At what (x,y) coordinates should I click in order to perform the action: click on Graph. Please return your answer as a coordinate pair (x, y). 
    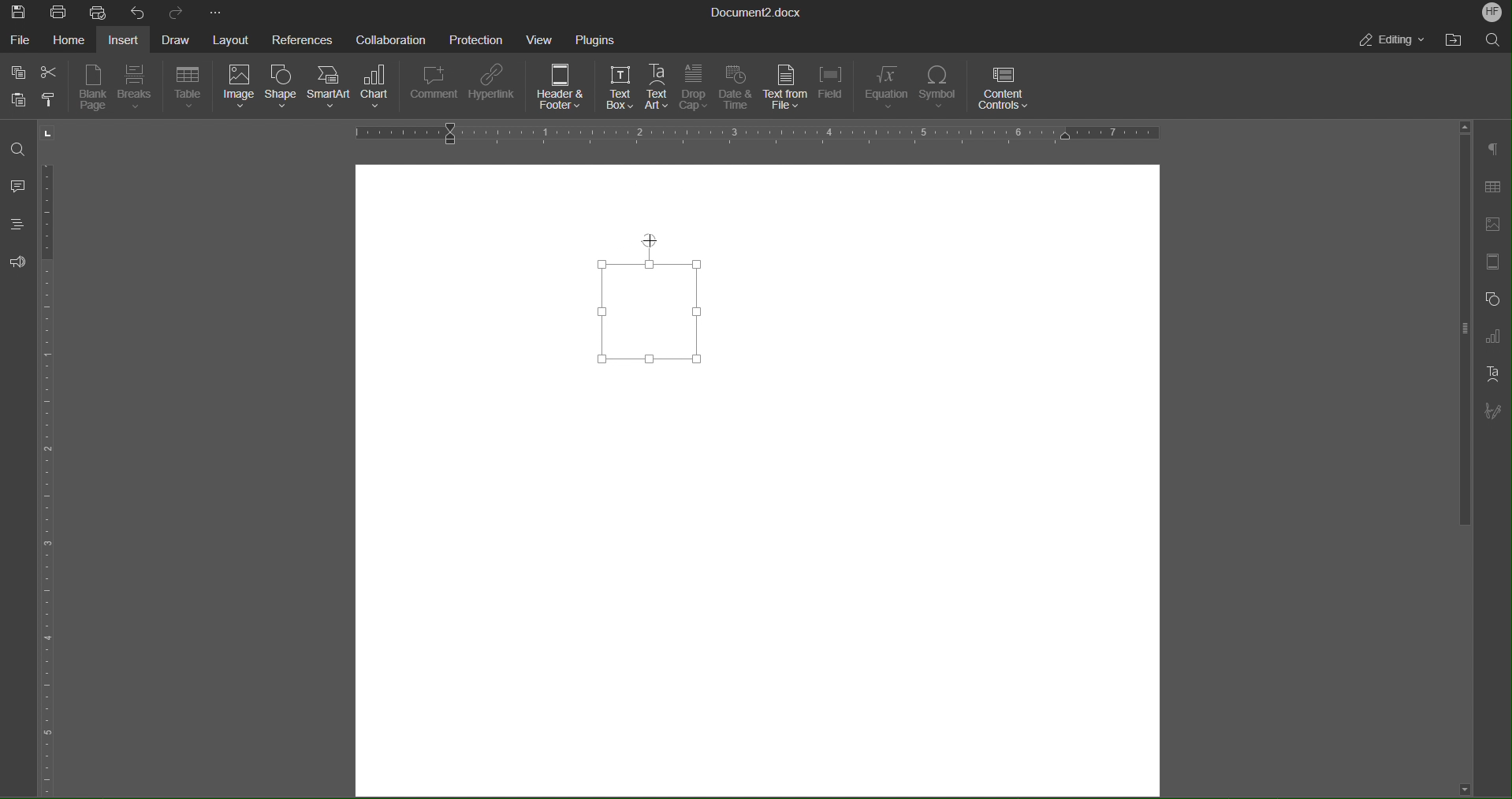
    Looking at the image, I should click on (1492, 336).